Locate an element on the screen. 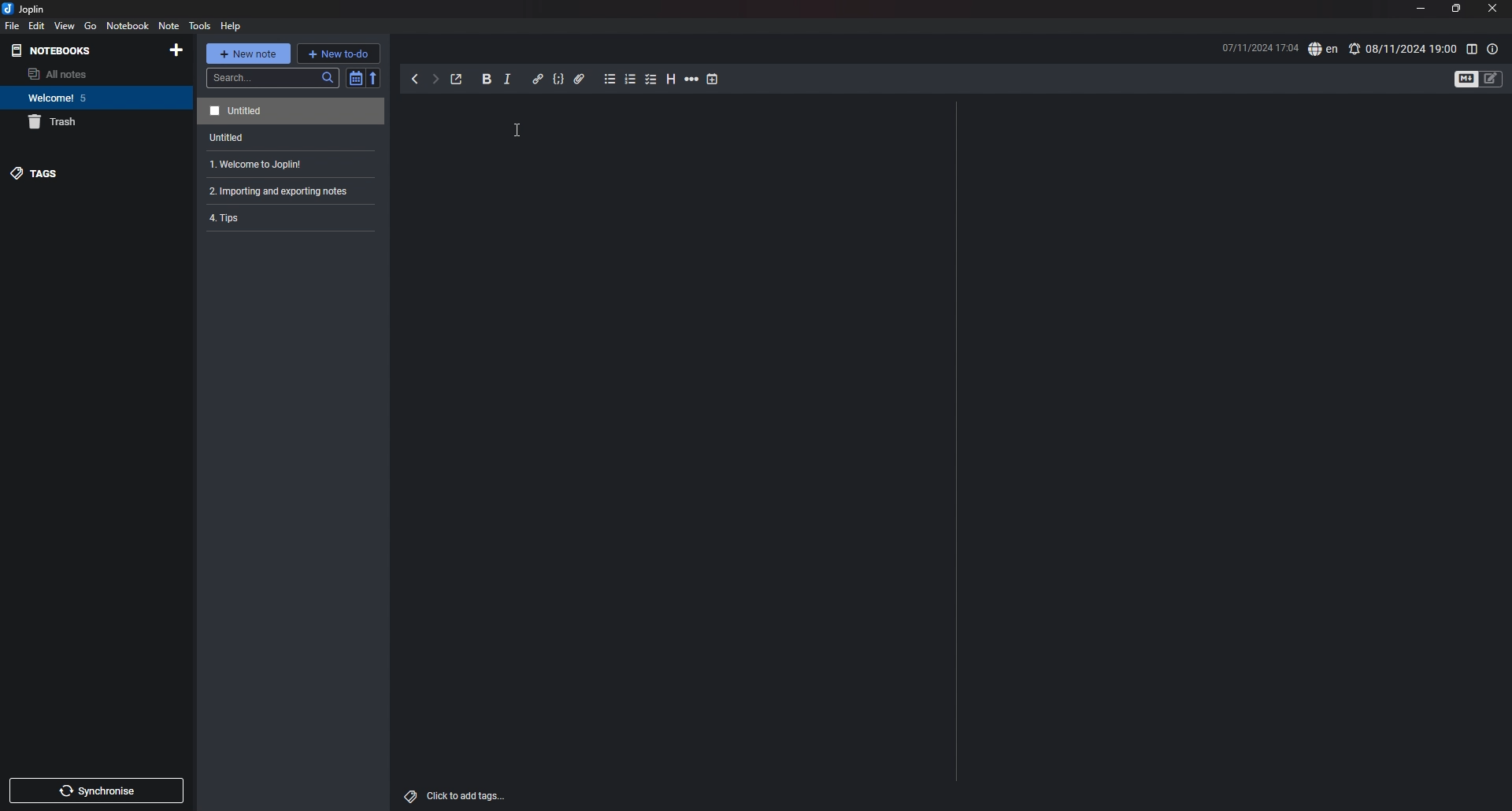 The height and width of the screenshot is (811, 1512). code is located at coordinates (559, 80).